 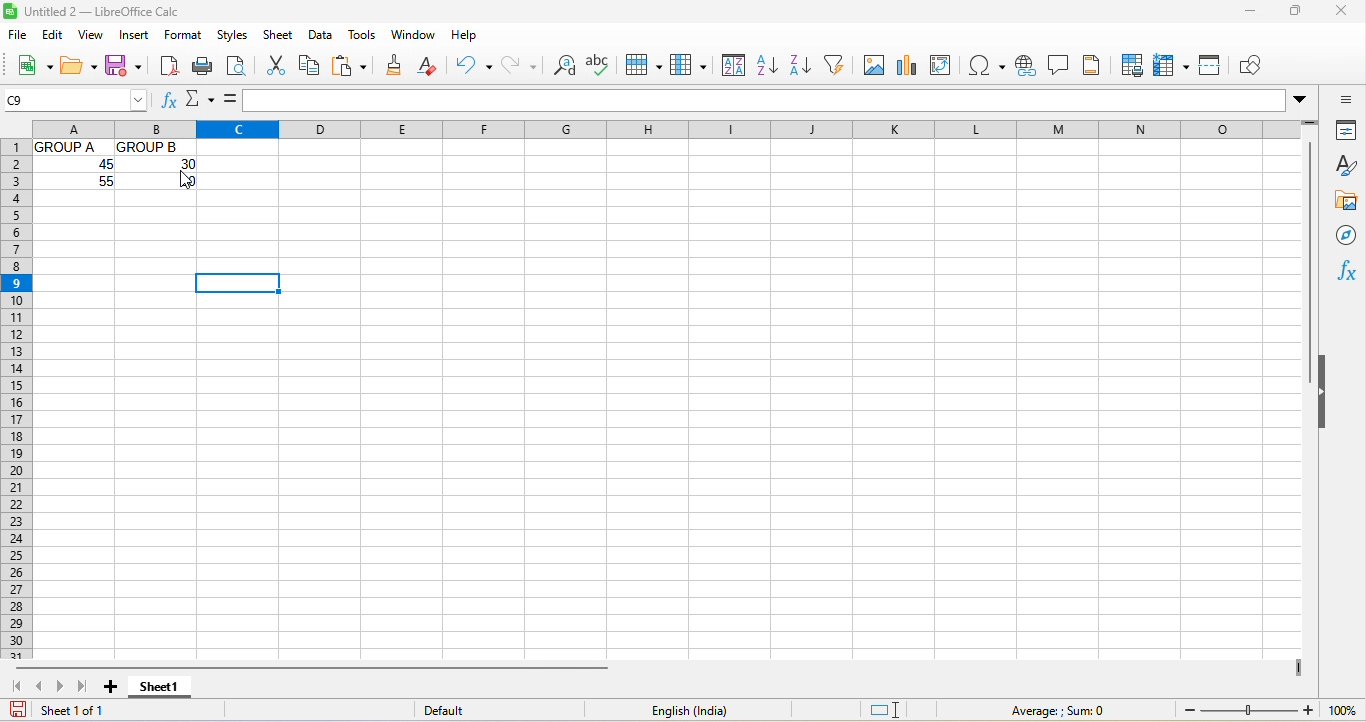 What do you see at coordinates (86, 689) in the screenshot?
I see `last sheet` at bounding box center [86, 689].